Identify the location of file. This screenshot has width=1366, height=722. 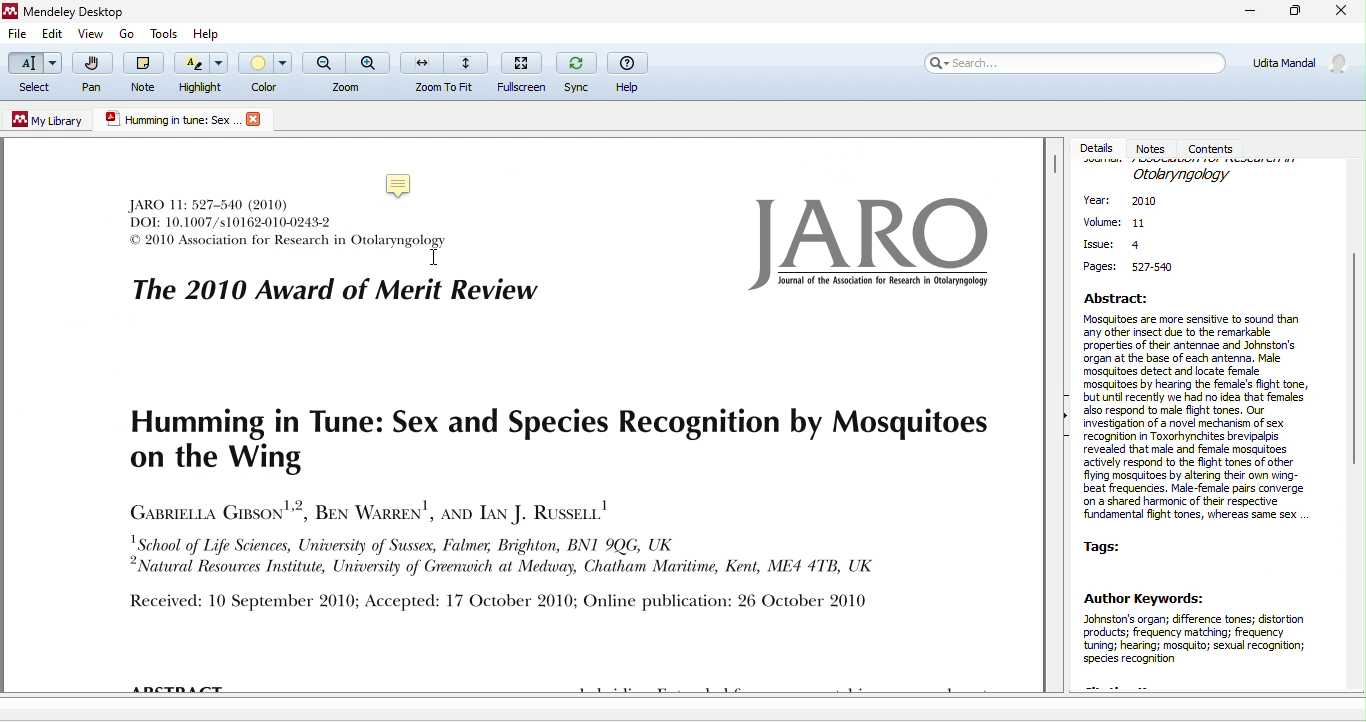
(16, 35).